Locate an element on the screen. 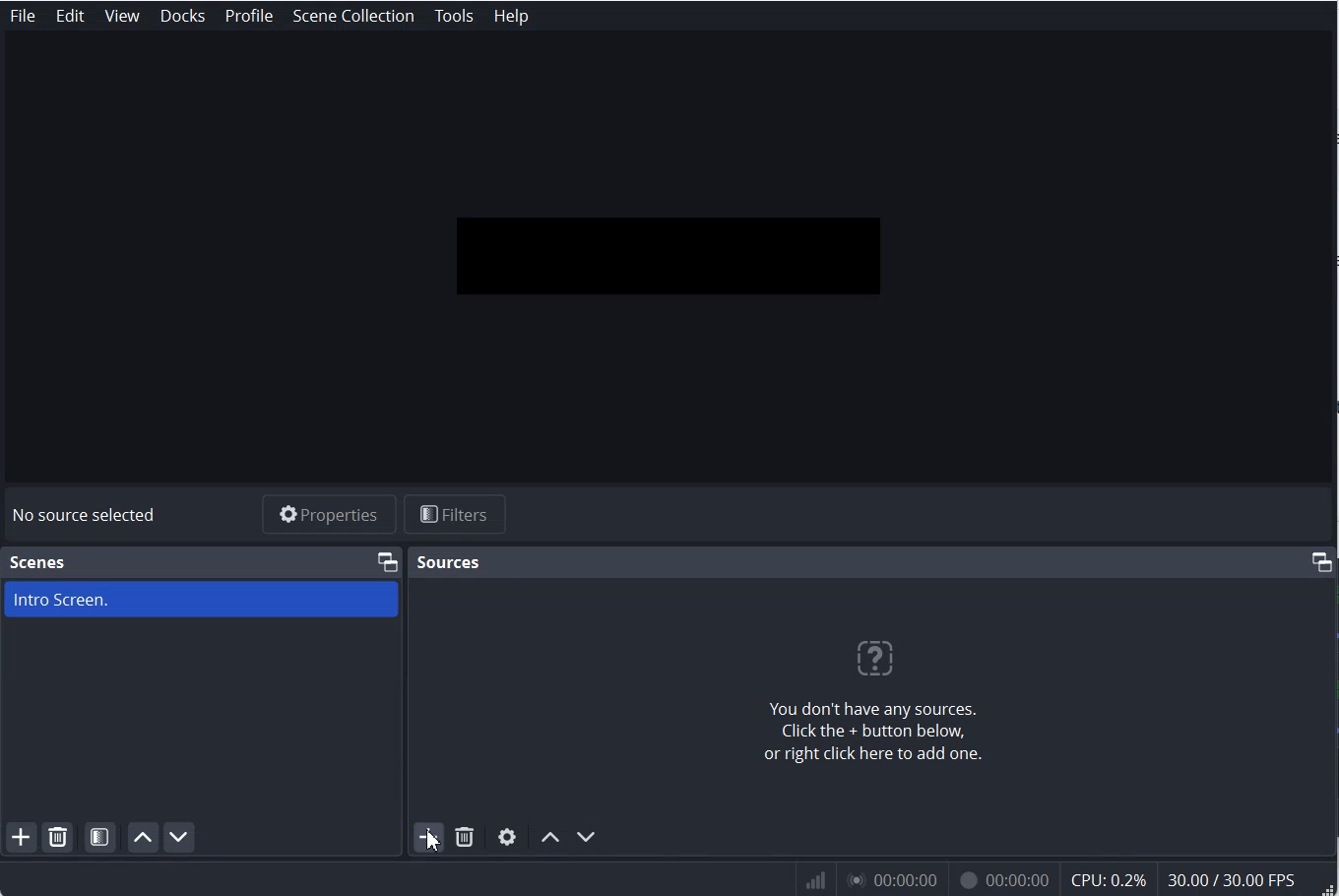  Move Source Down is located at coordinates (587, 837).